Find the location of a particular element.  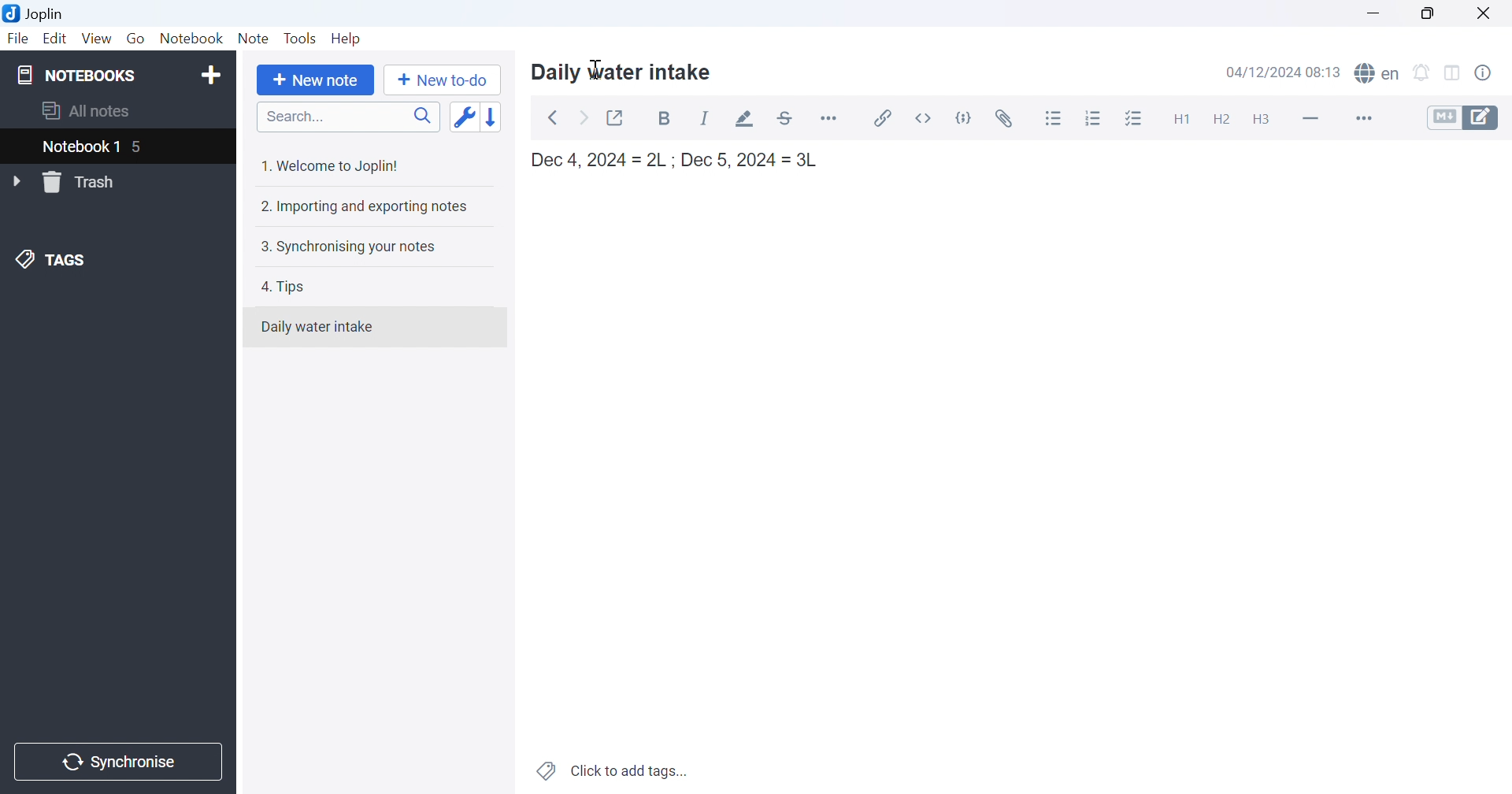

NOTEBOOKS is located at coordinates (80, 76).